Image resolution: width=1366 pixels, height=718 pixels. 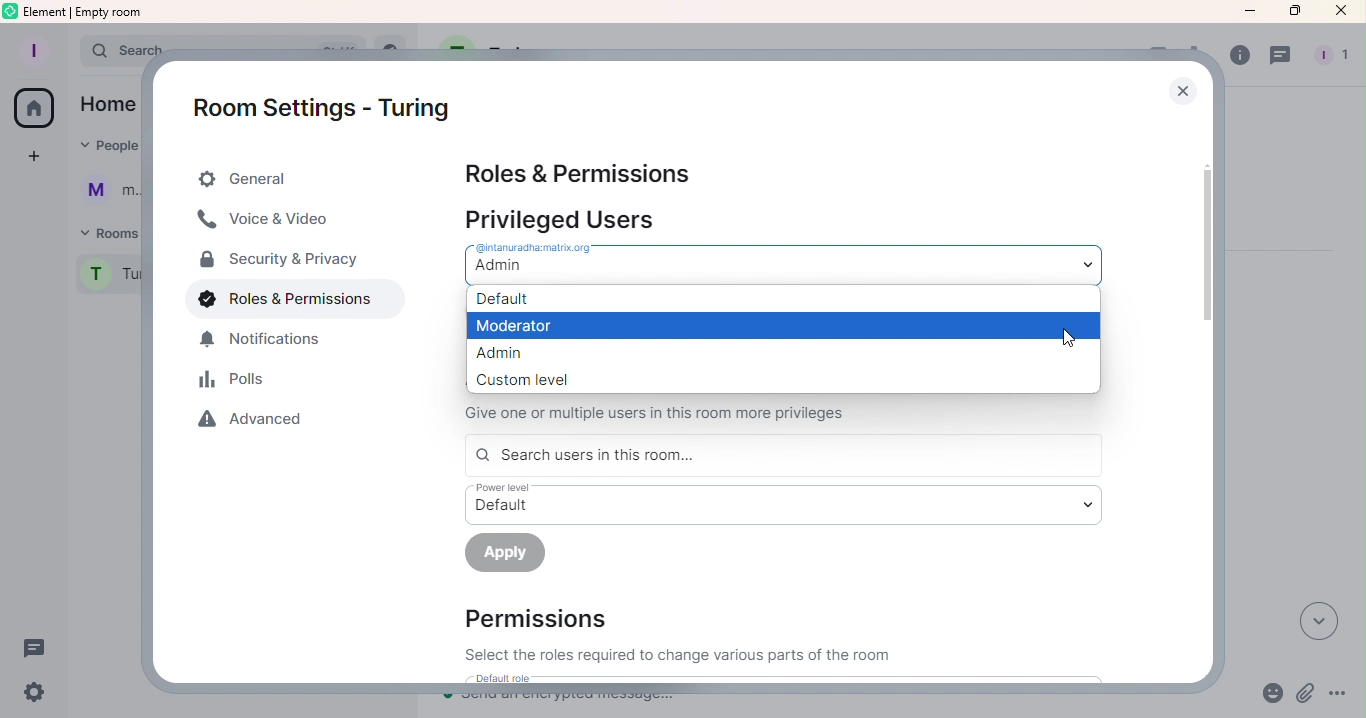 I want to click on Power level, so click(x=784, y=504).